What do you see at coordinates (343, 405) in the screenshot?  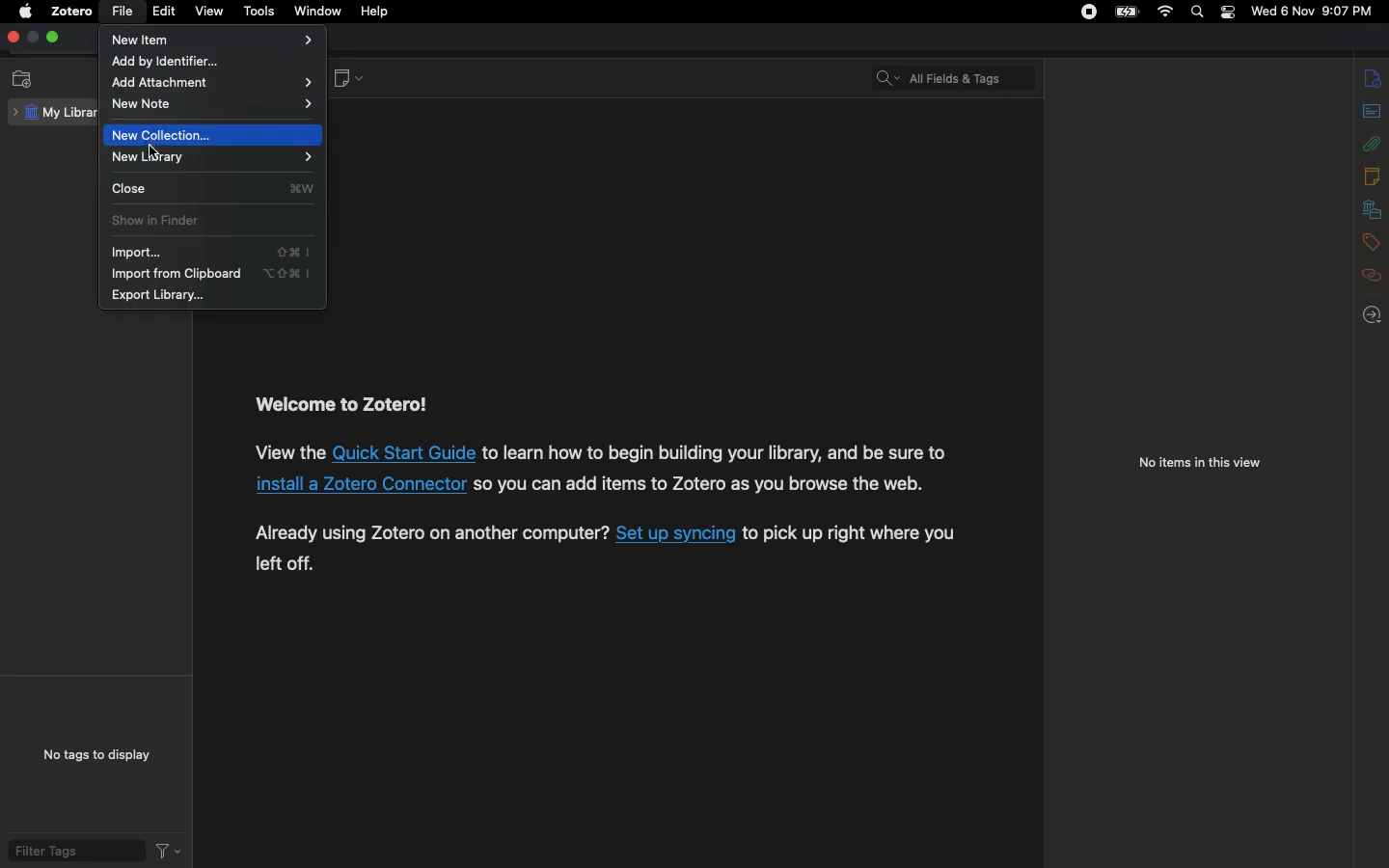 I see `Welcome to Zotero!` at bounding box center [343, 405].